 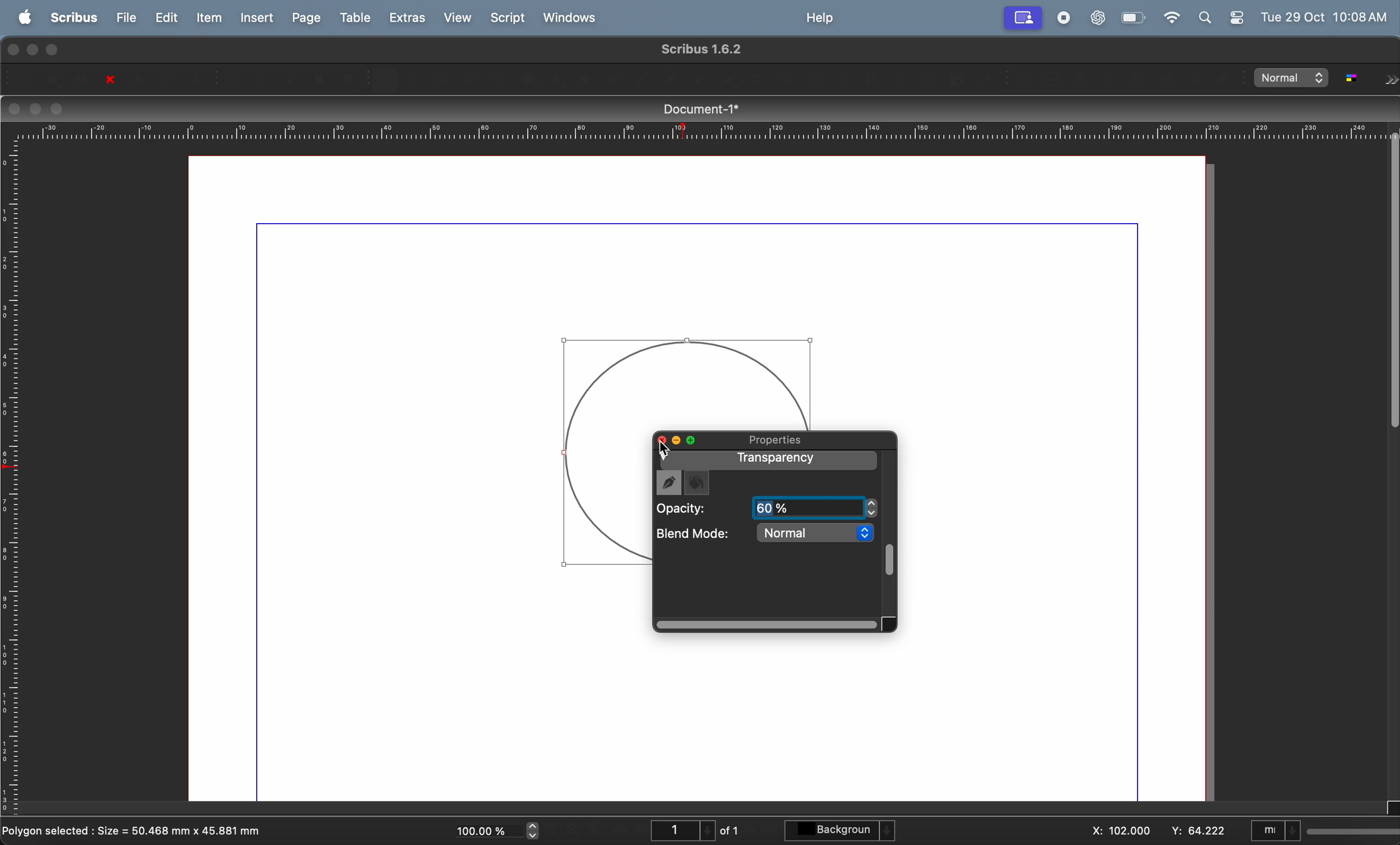 What do you see at coordinates (1169, 17) in the screenshot?
I see `wifi` at bounding box center [1169, 17].